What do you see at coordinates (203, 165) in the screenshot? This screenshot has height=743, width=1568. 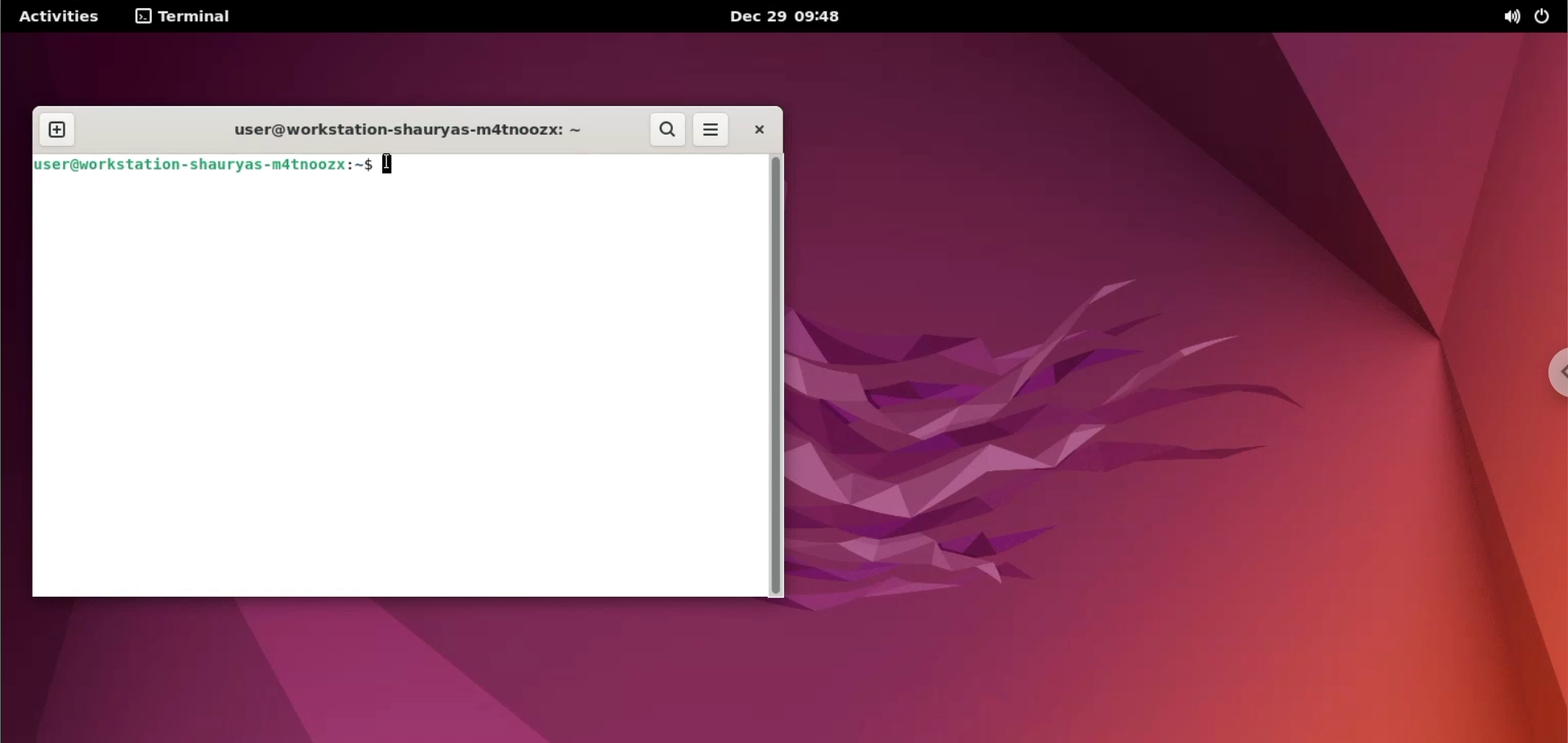 I see `user@workstation-shauryas-m4tnoozx:-$` at bounding box center [203, 165].